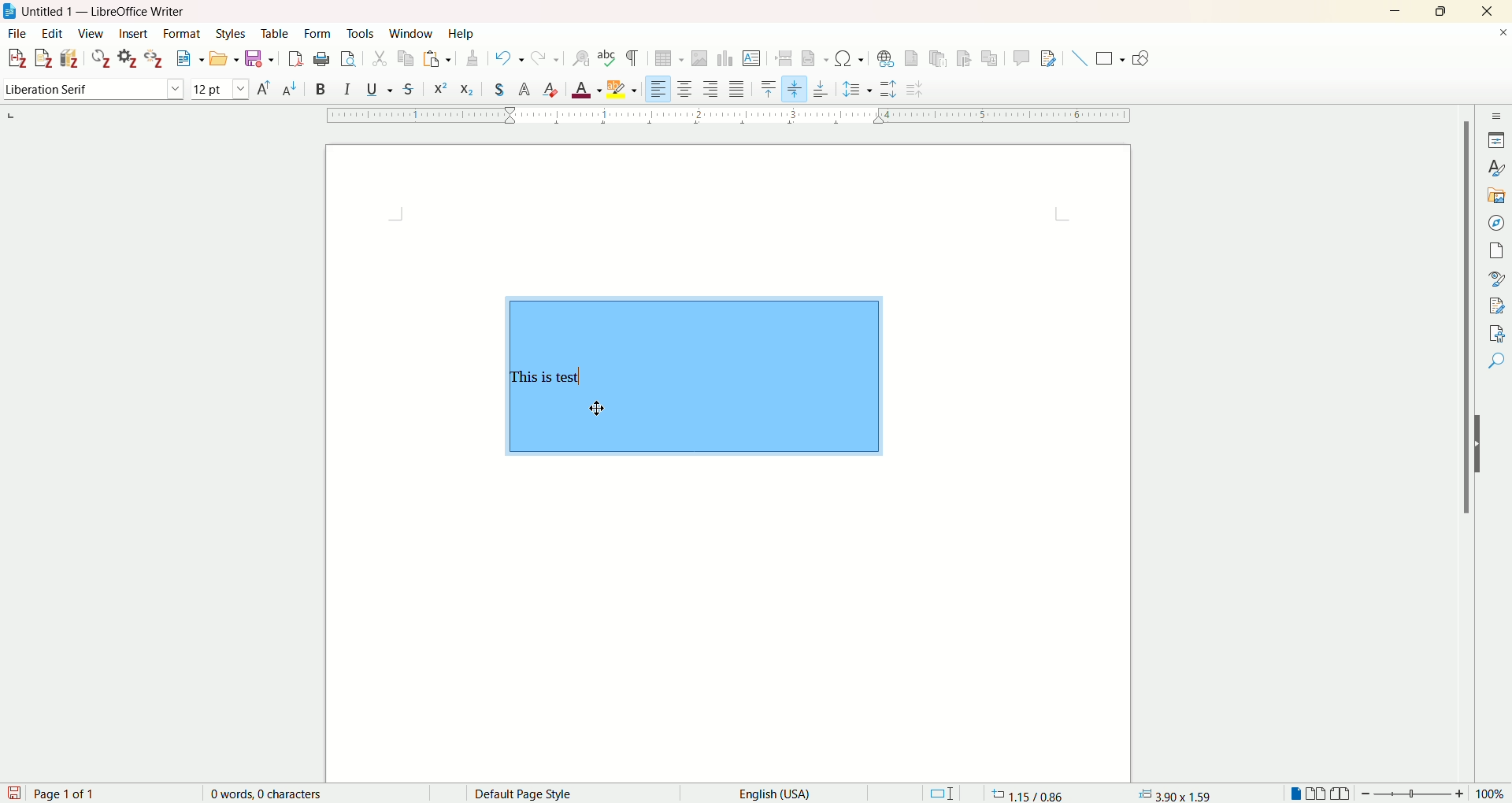 This screenshot has height=803, width=1512. What do you see at coordinates (223, 60) in the screenshot?
I see `open` at bounding box center [223, 60].